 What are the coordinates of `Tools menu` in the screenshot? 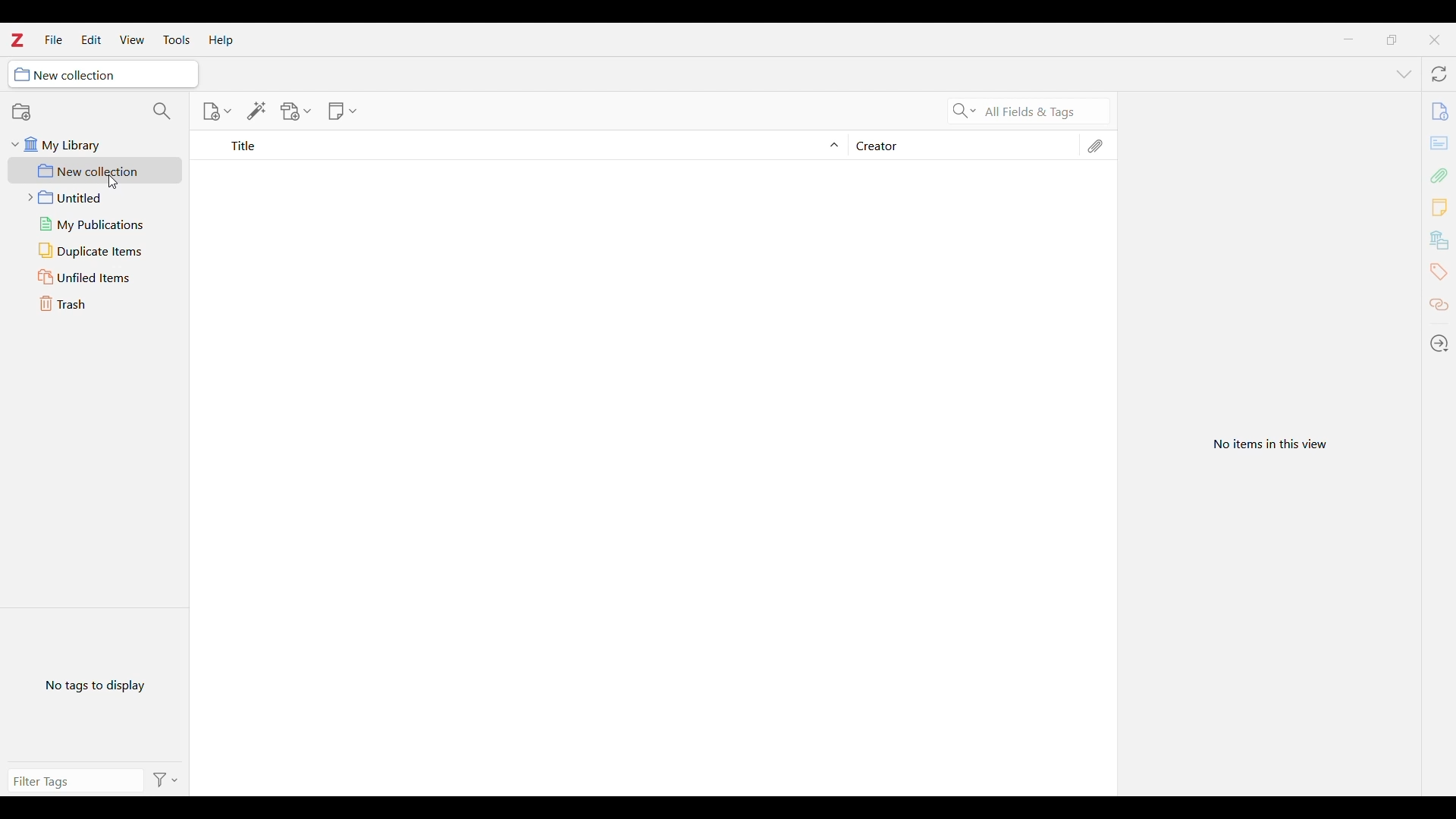 It's located at (177, 40).